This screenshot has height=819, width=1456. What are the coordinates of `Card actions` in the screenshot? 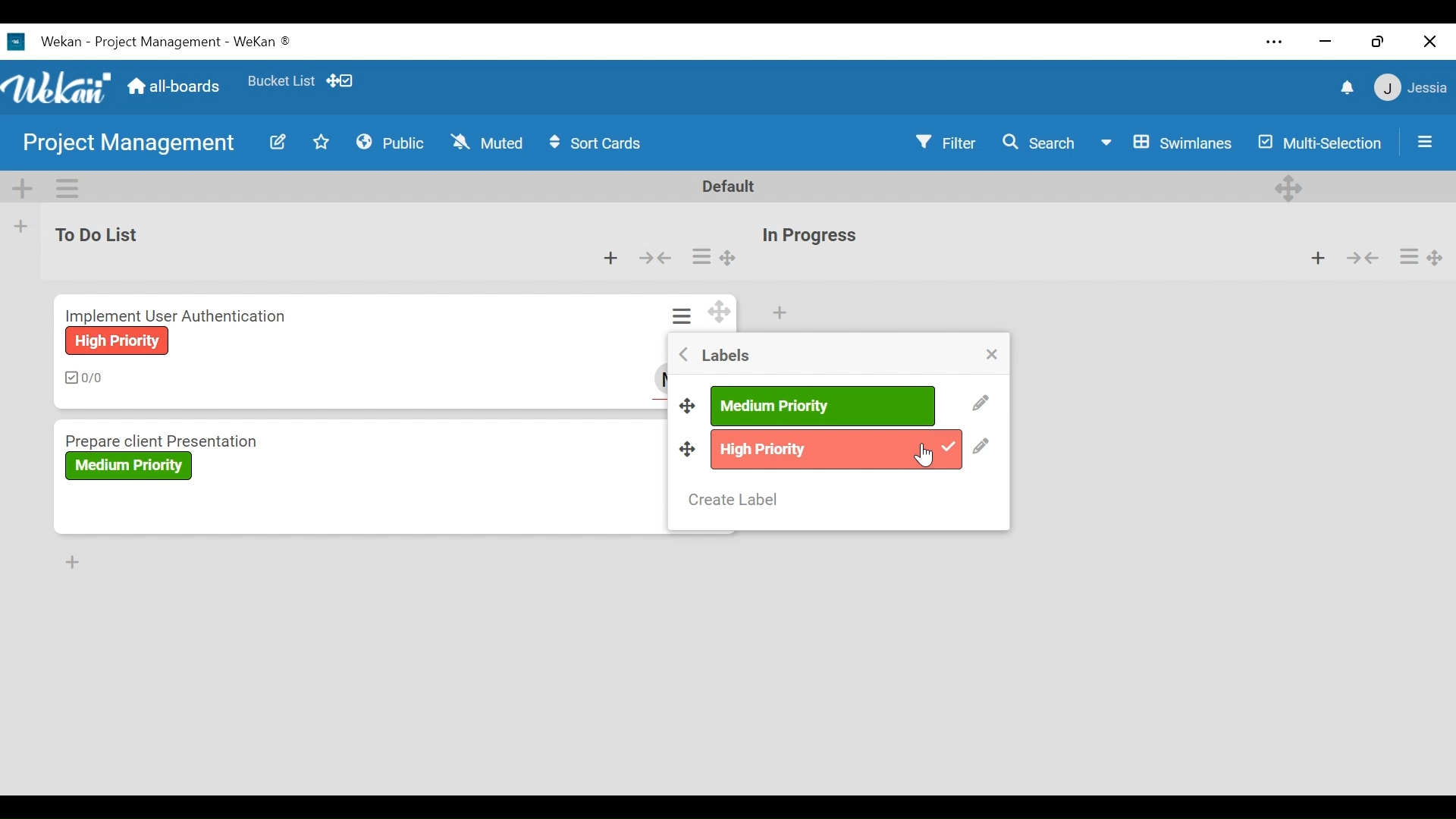 It's located at (700, 257).